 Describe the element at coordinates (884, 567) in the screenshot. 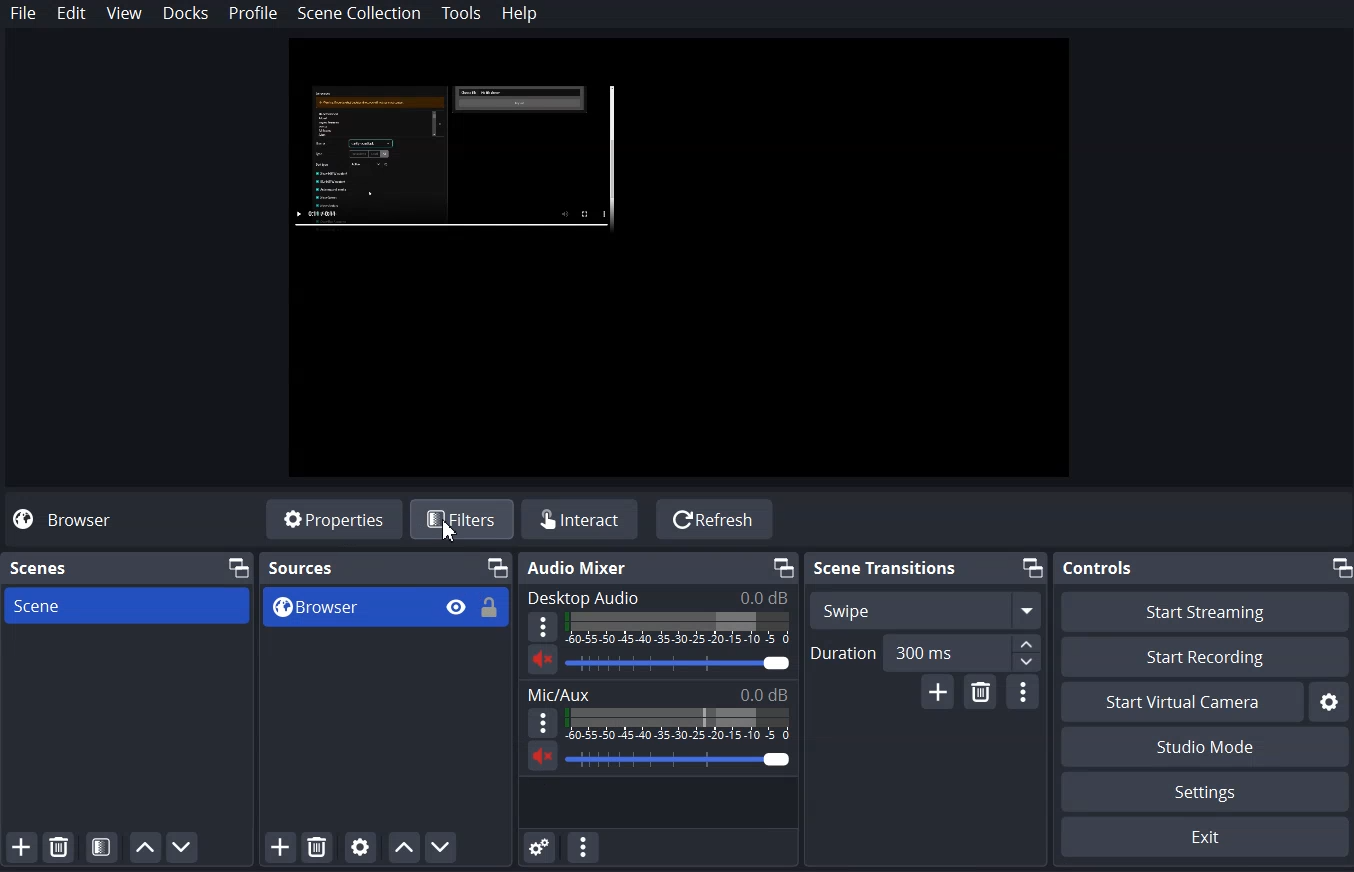

I see `Scene Transition` at that location.